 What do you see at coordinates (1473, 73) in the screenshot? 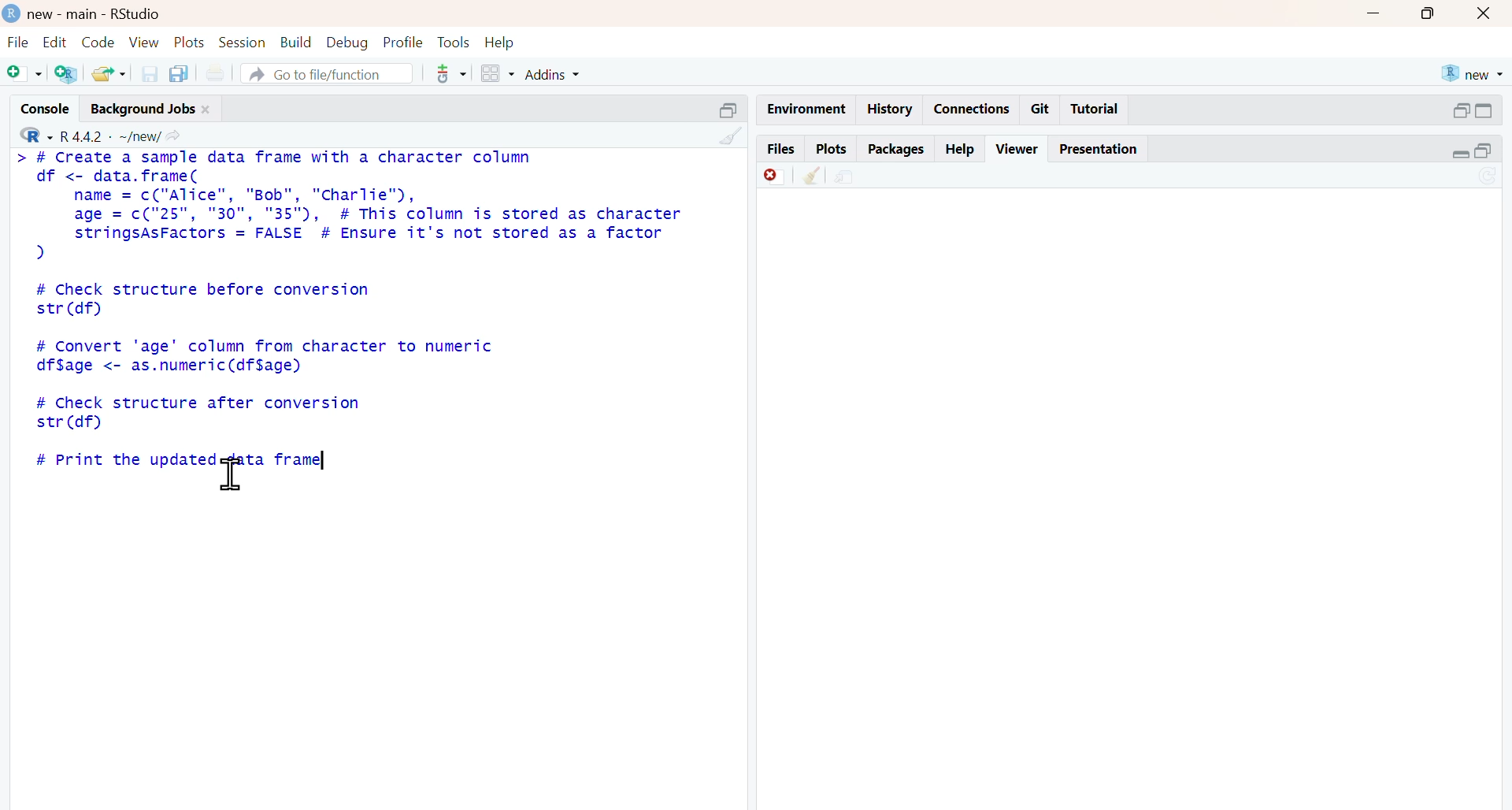
I see `new` at bounding box center [1473, 73].